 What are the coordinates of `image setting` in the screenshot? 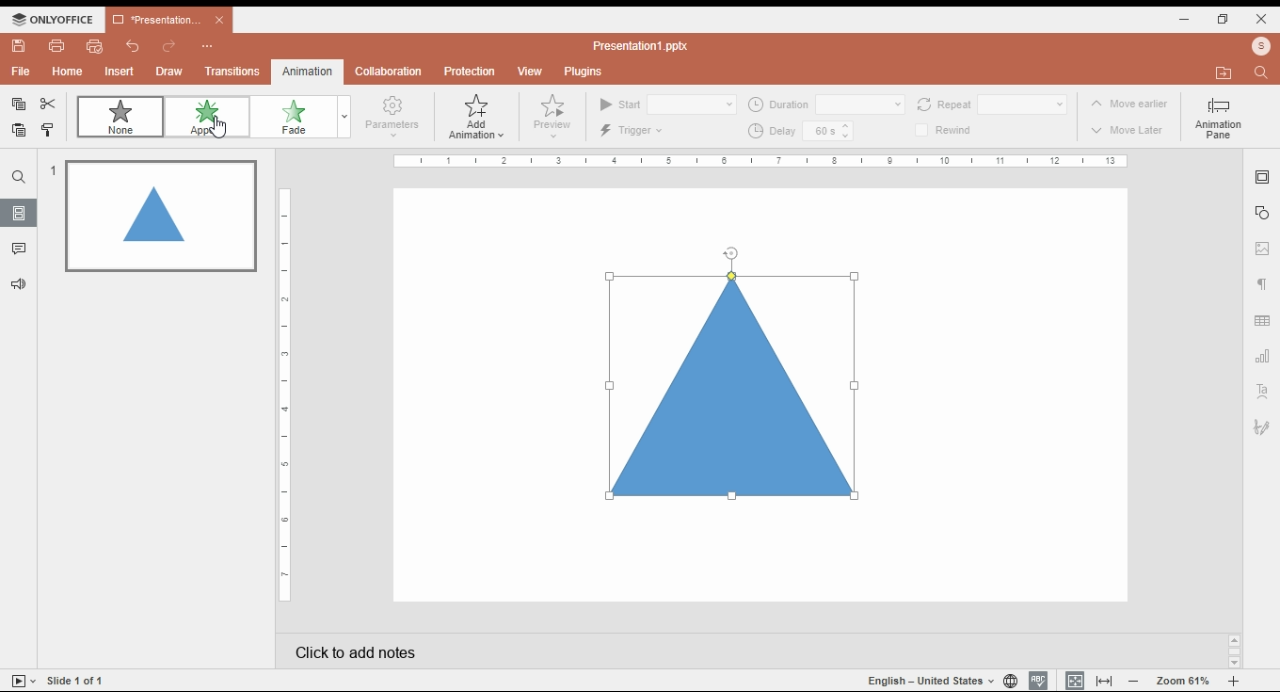 It's located at (1263, 249).